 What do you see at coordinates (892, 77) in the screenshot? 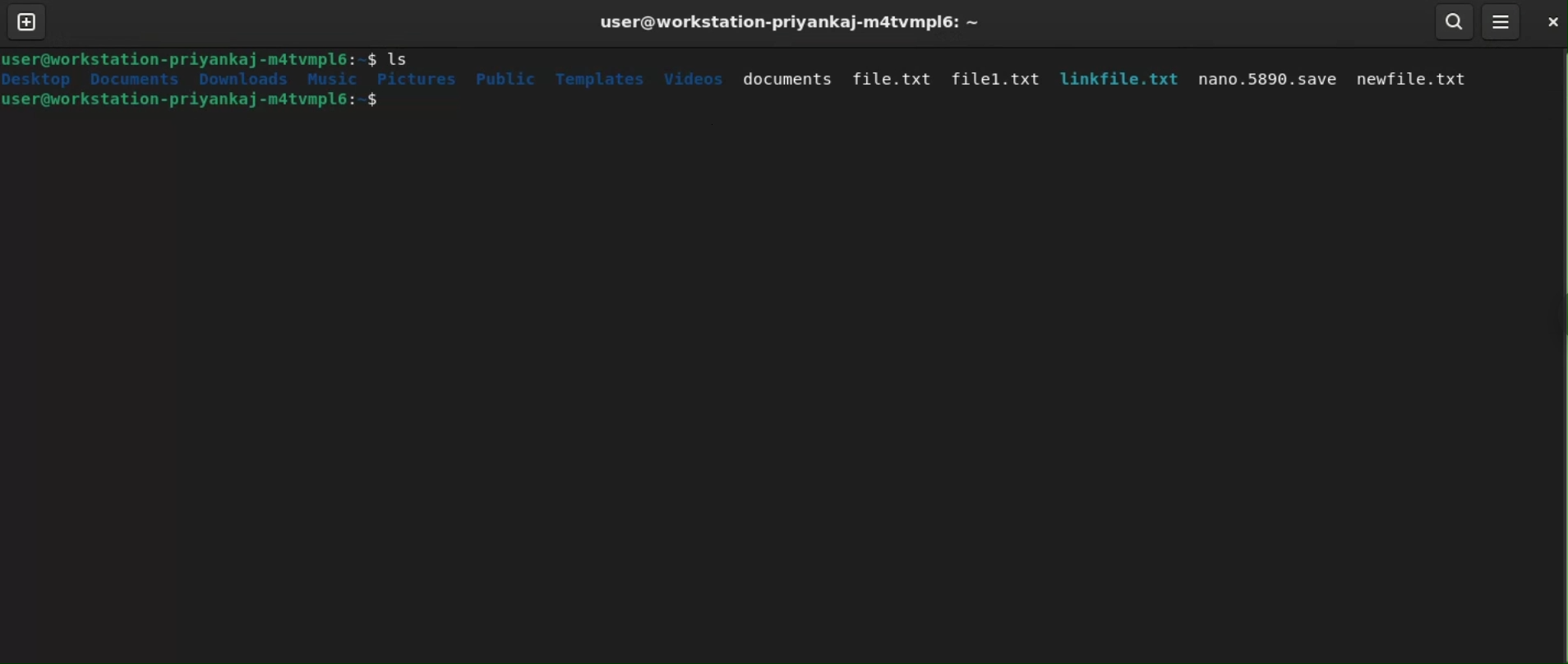
I see `file.txt` at bounding box center [892, 77].